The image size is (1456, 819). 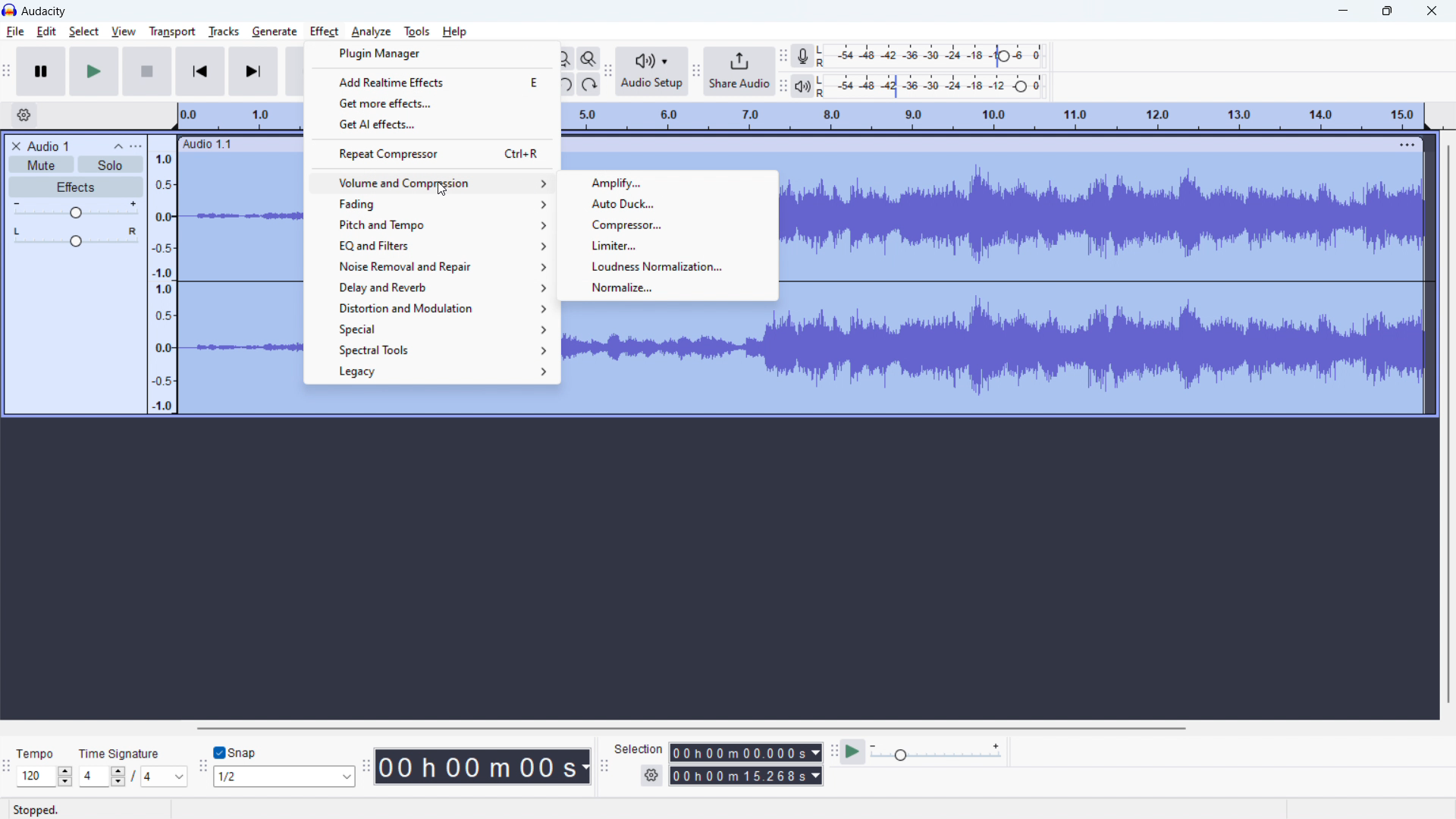 I want to click on play at speed toolbar, so click(x=833, y=752).